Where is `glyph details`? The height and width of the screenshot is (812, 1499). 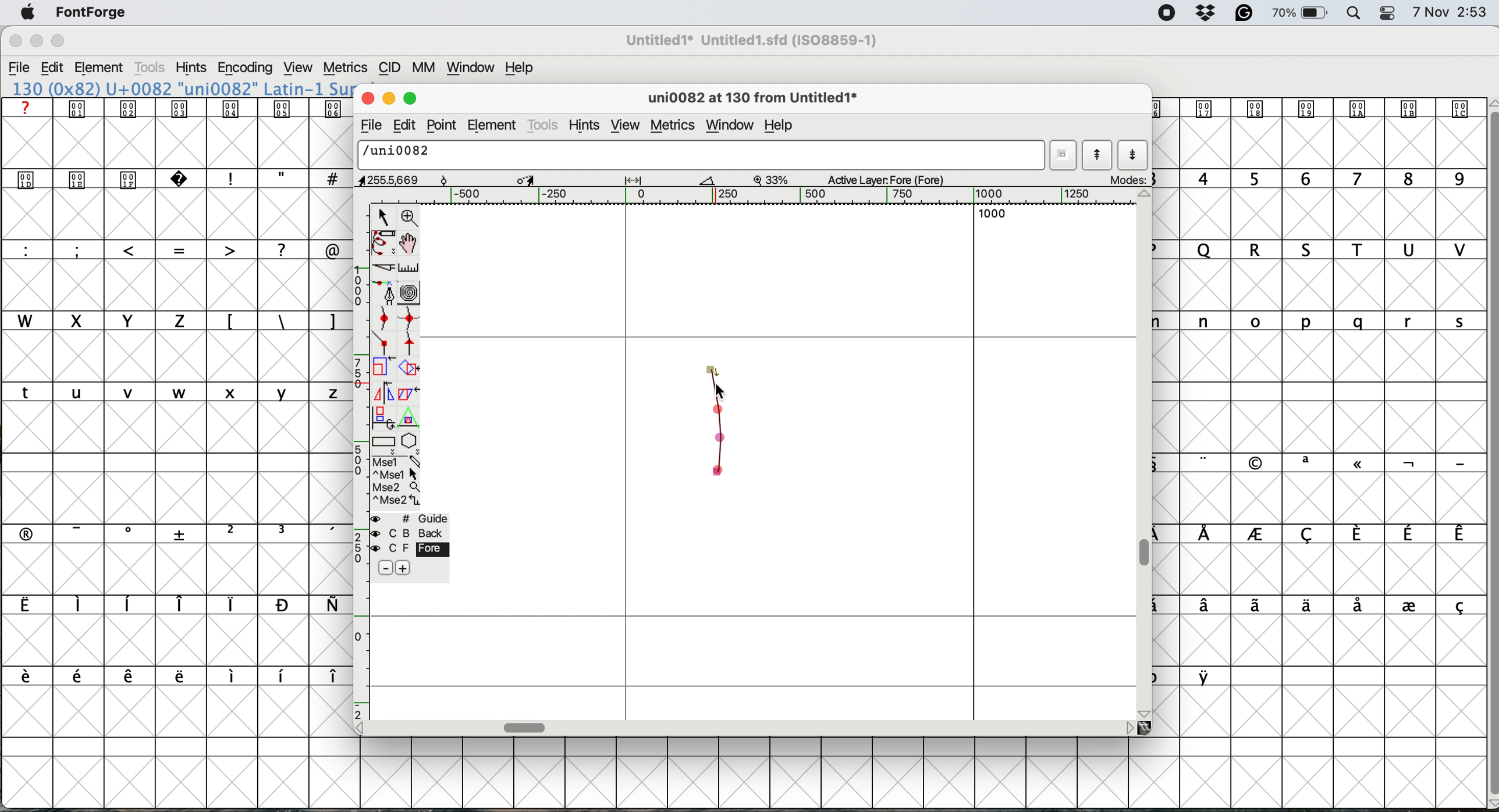 glyph details is located at coordinates (539, 180).